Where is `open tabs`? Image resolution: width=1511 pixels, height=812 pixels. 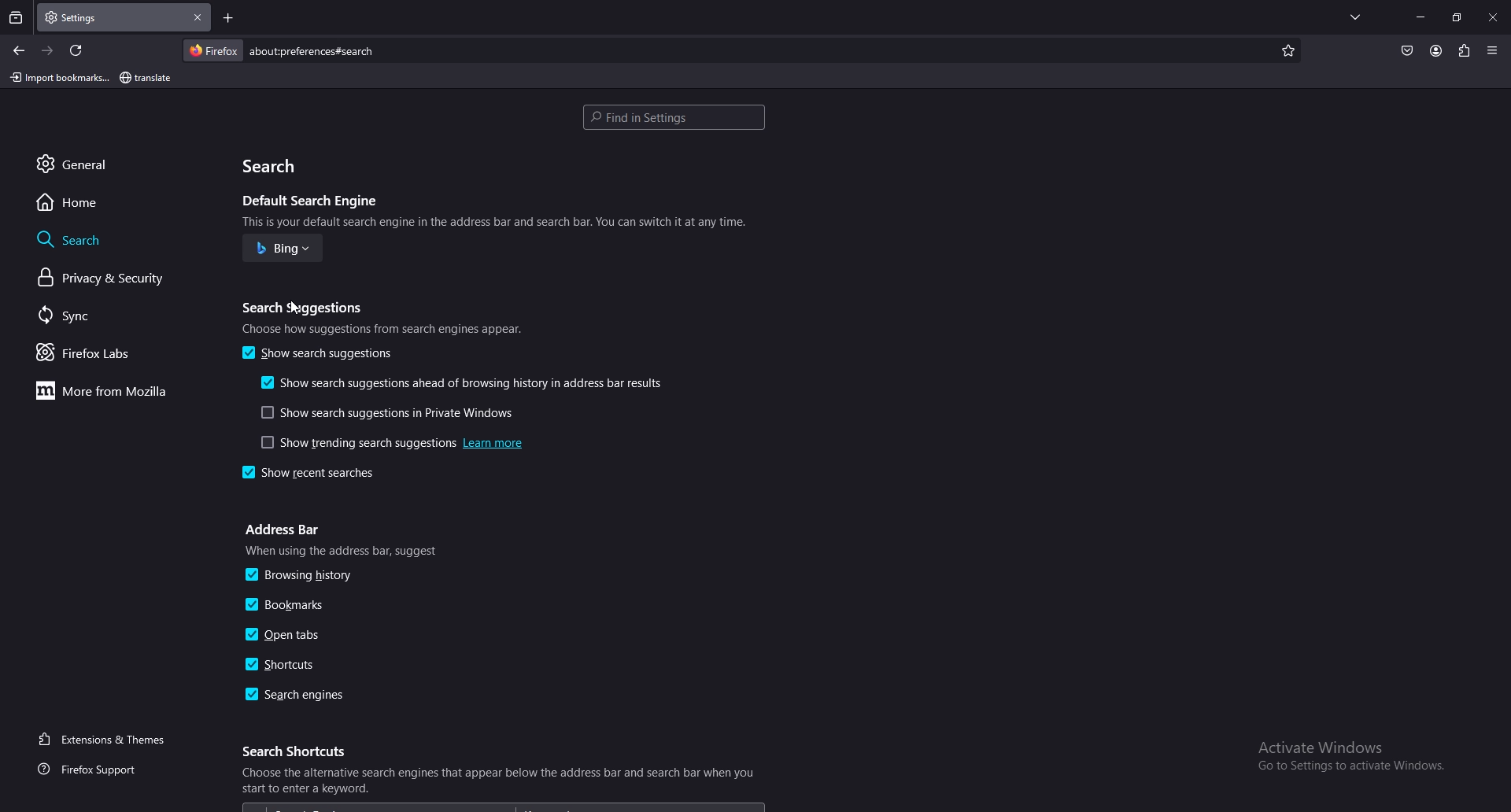 open tabs is located at coordinates (291, 637).